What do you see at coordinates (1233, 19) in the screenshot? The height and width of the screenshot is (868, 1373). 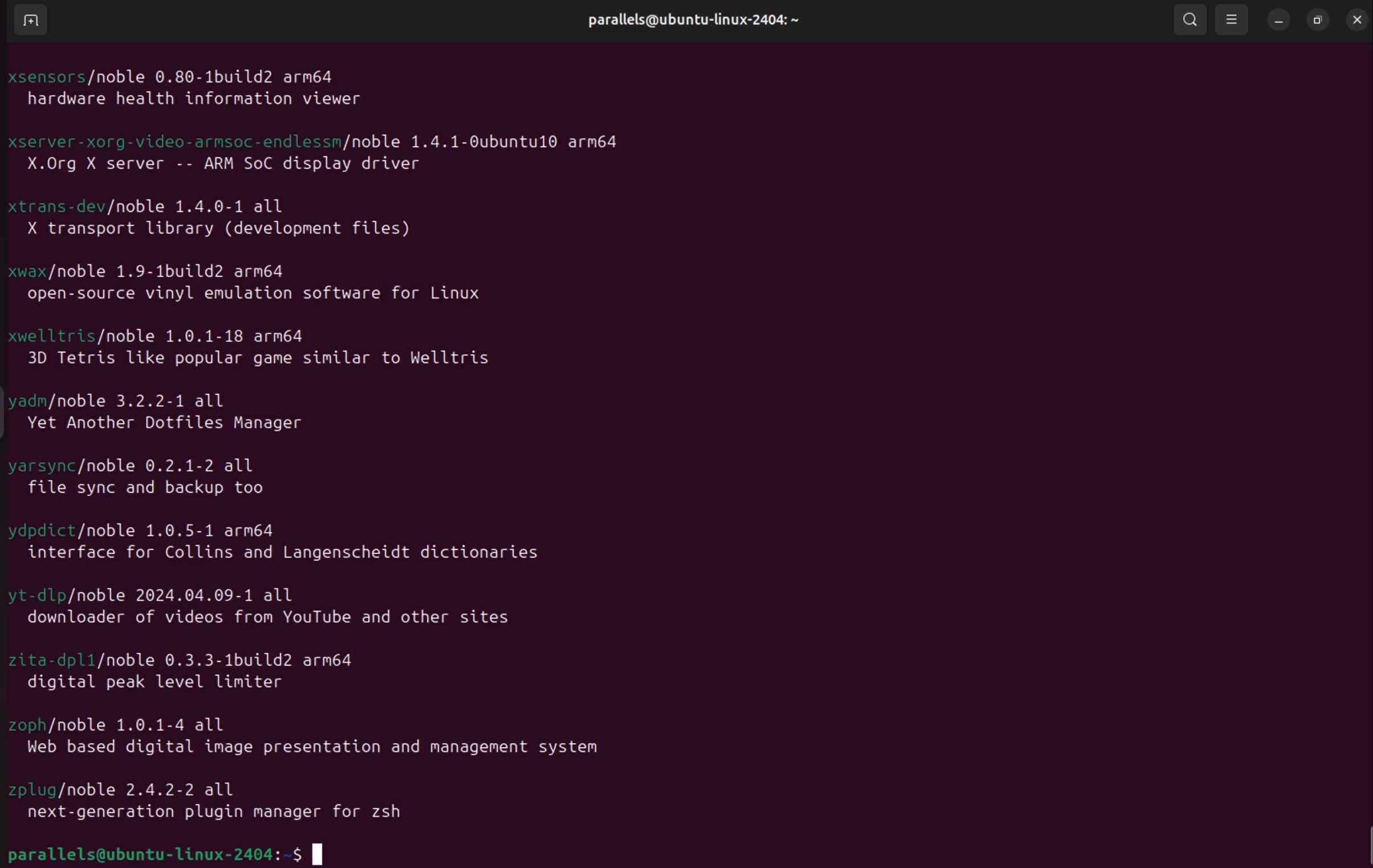 I see `view options` at bounding box center [1233, 19].